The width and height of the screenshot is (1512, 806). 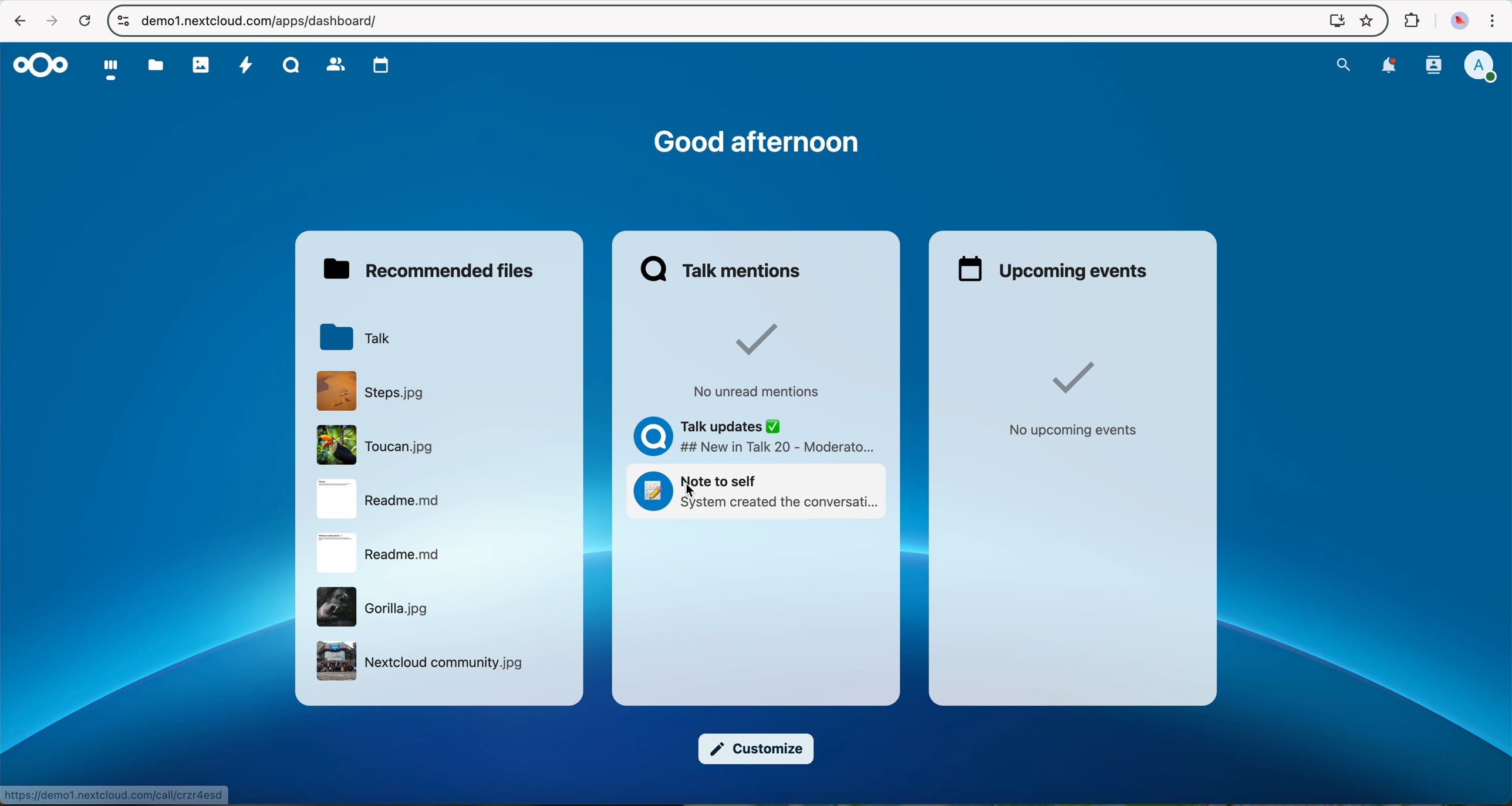 What do you see at coordinates (1412, 21) in the screenshot?
I see `extensions` at bounding box center [1412, 21].